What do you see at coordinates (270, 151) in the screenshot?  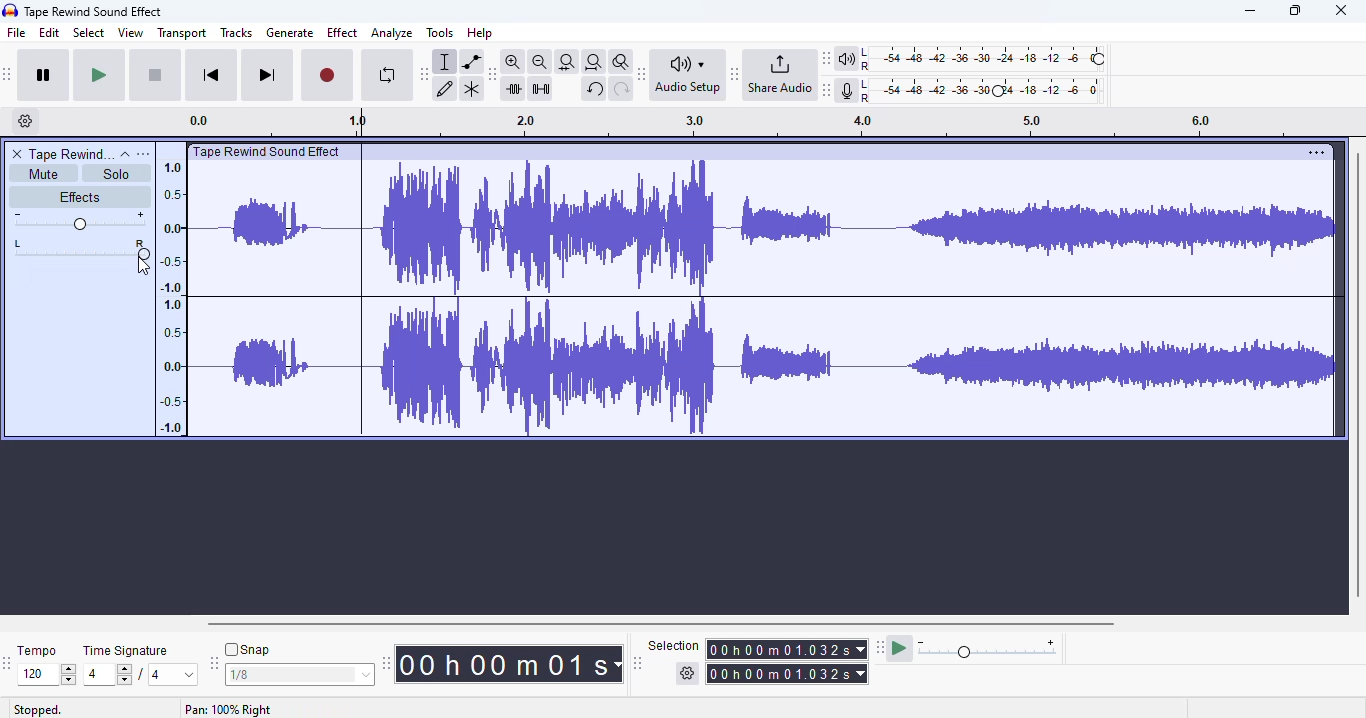 I see `Track tile` at bounding box center [270, 151].